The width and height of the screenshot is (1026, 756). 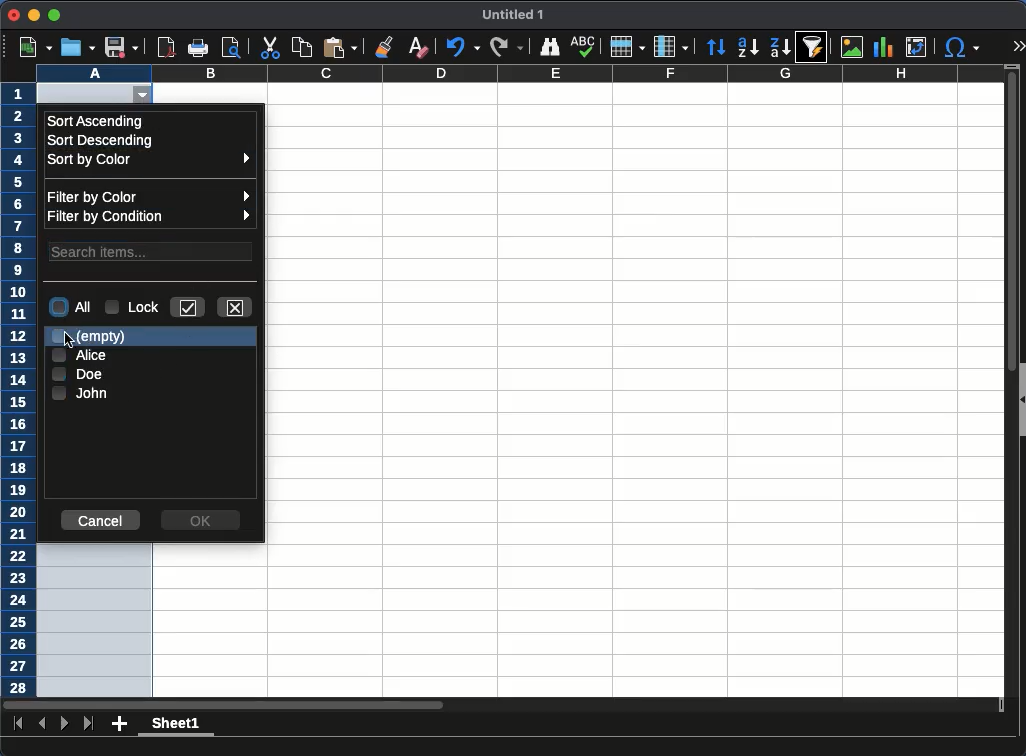 What do you see at coordinates (120, 723) in the screenshot?
I see `add` at bounding box center [120, 723].